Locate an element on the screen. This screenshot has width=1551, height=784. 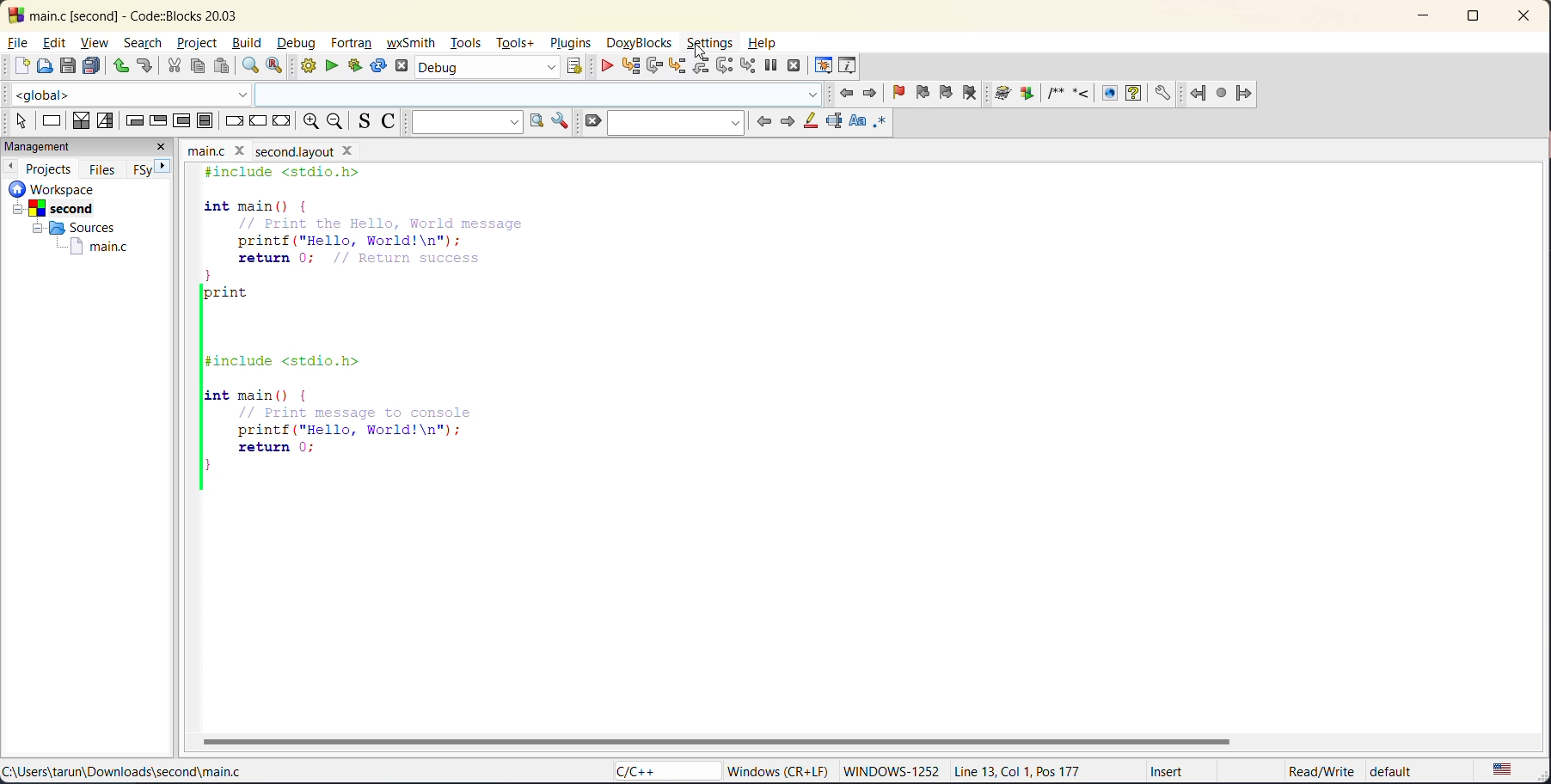
copy is located at coordinates (199, 67).